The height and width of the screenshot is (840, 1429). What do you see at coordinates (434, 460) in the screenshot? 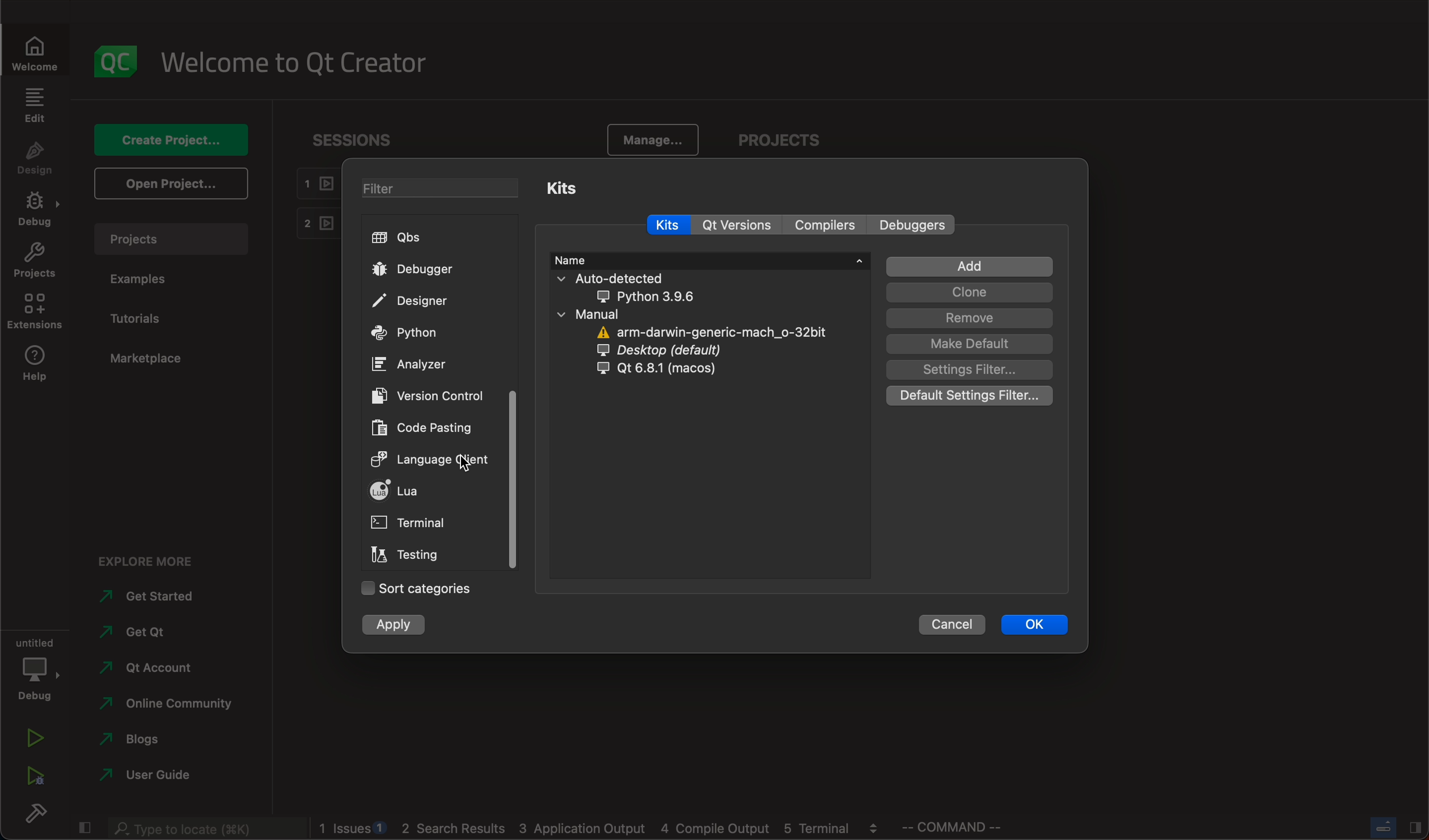
I see `clicked` at bounding box center [434, 460].